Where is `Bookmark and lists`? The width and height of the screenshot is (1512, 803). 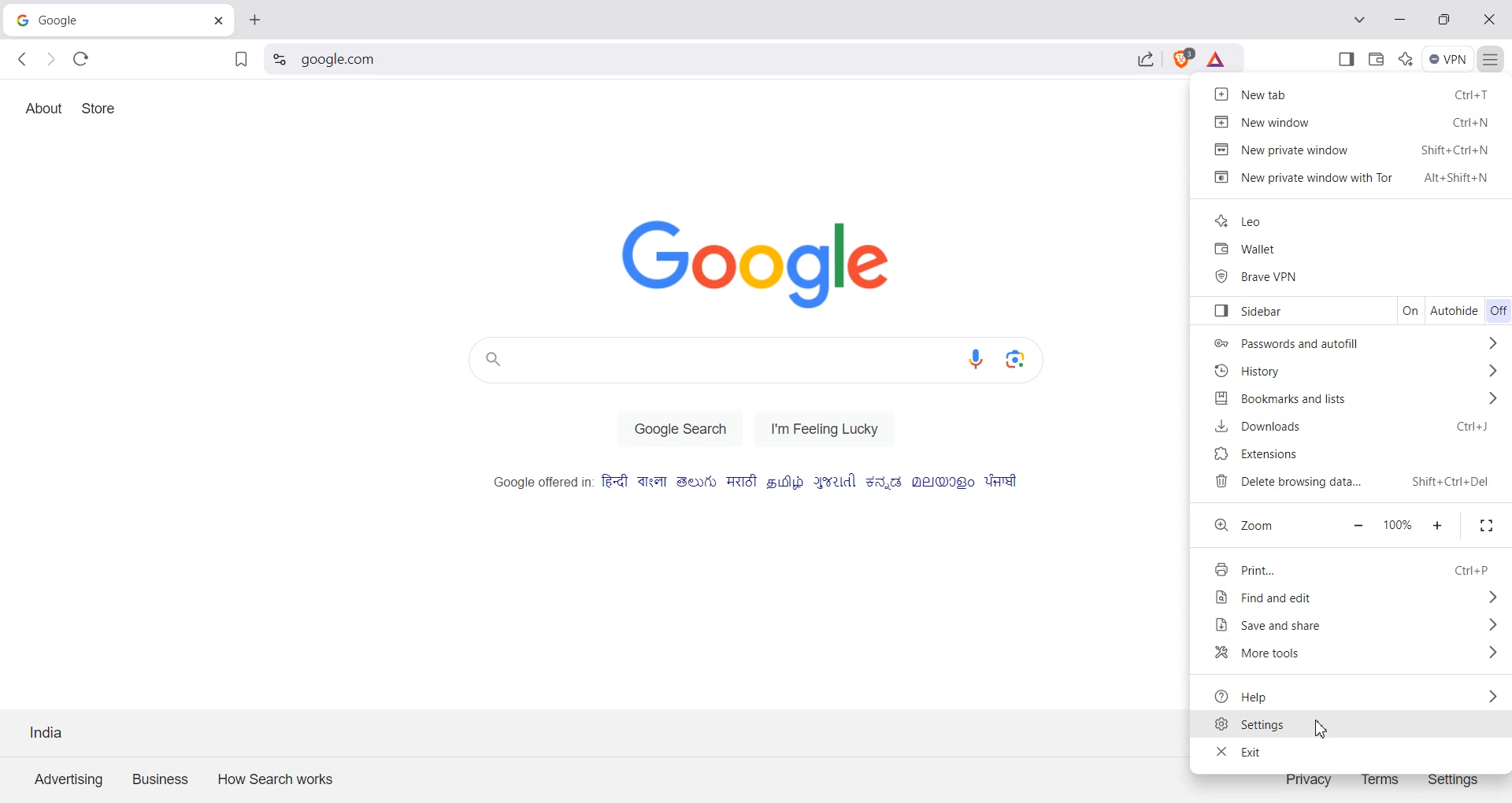 Bookmark and lists is located at coordinates (1361, 398).